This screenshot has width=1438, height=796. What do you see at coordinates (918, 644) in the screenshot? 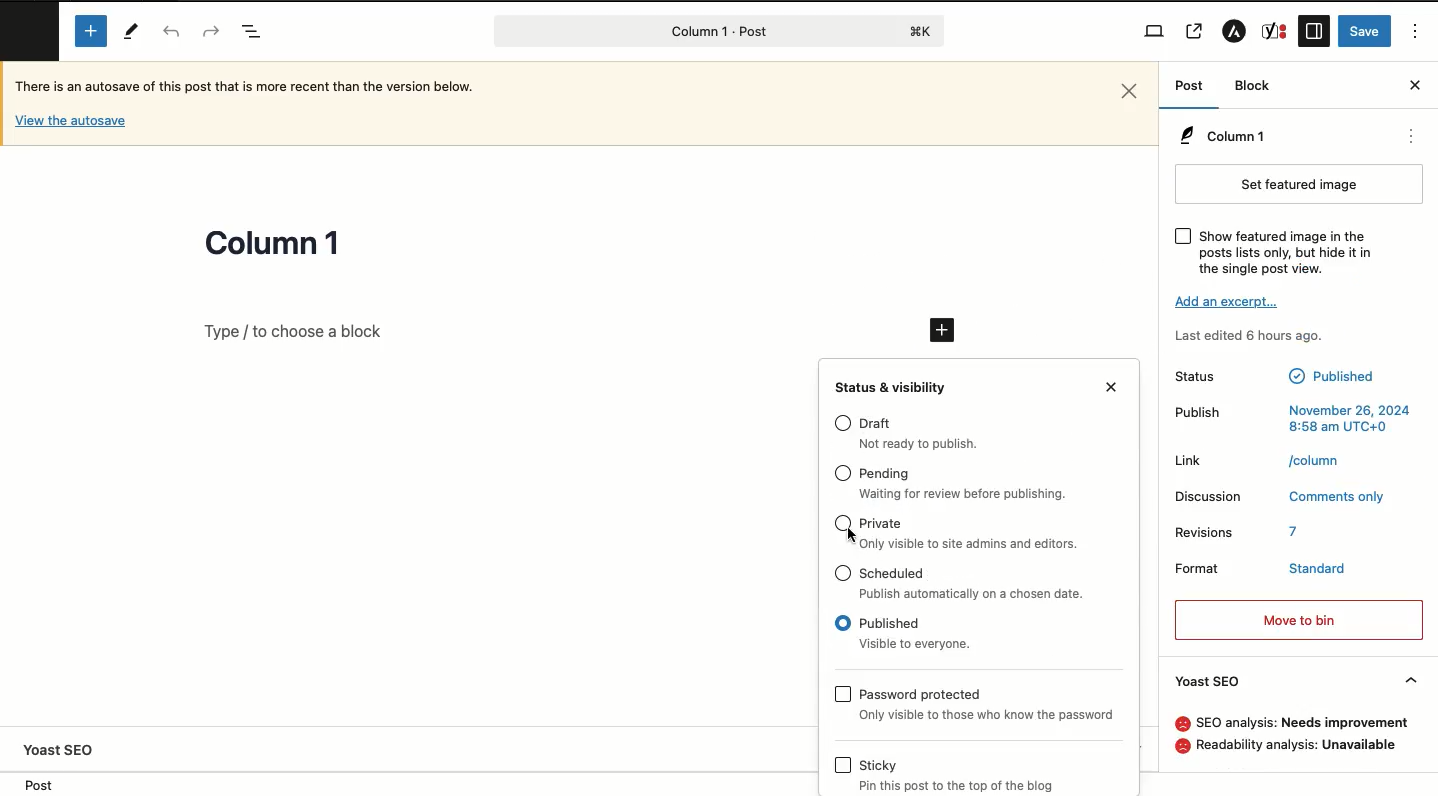
I see `Published` at bounding box center [918, 644].